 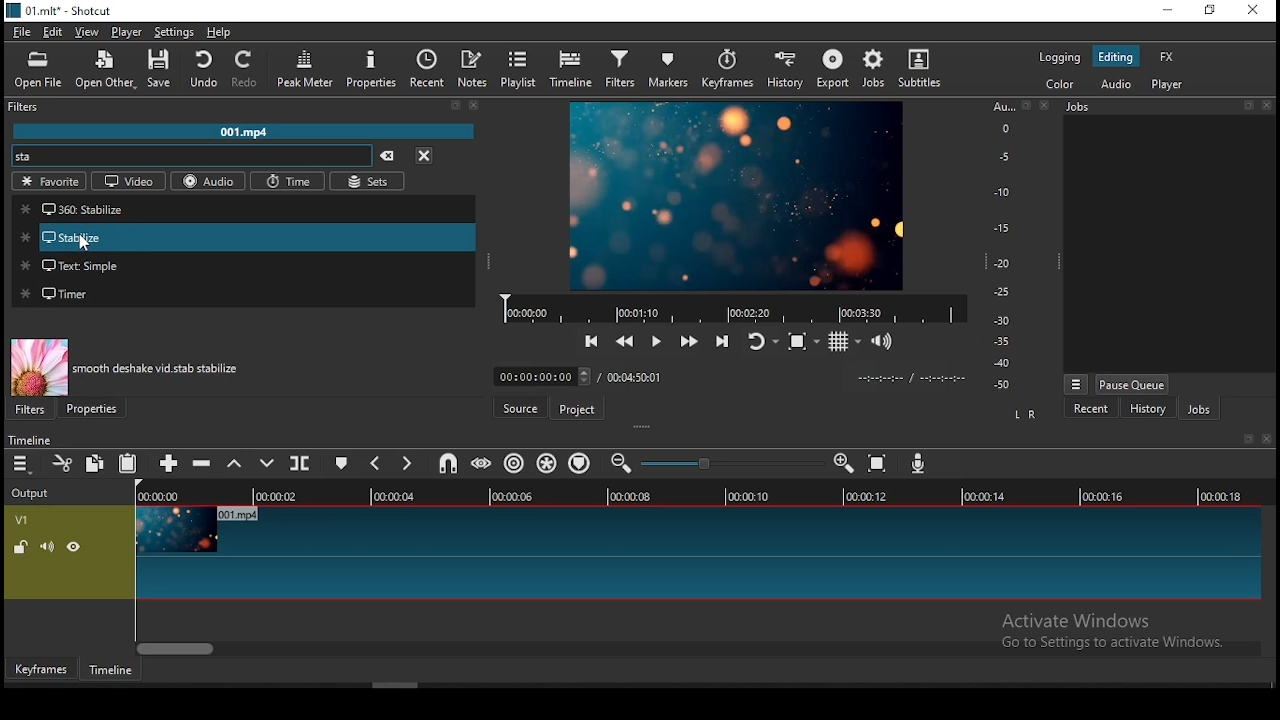 What do you see at coordinates (683, 340) in the screenshot?
I see `play quickly forwards` at bounding box center [683, 340].